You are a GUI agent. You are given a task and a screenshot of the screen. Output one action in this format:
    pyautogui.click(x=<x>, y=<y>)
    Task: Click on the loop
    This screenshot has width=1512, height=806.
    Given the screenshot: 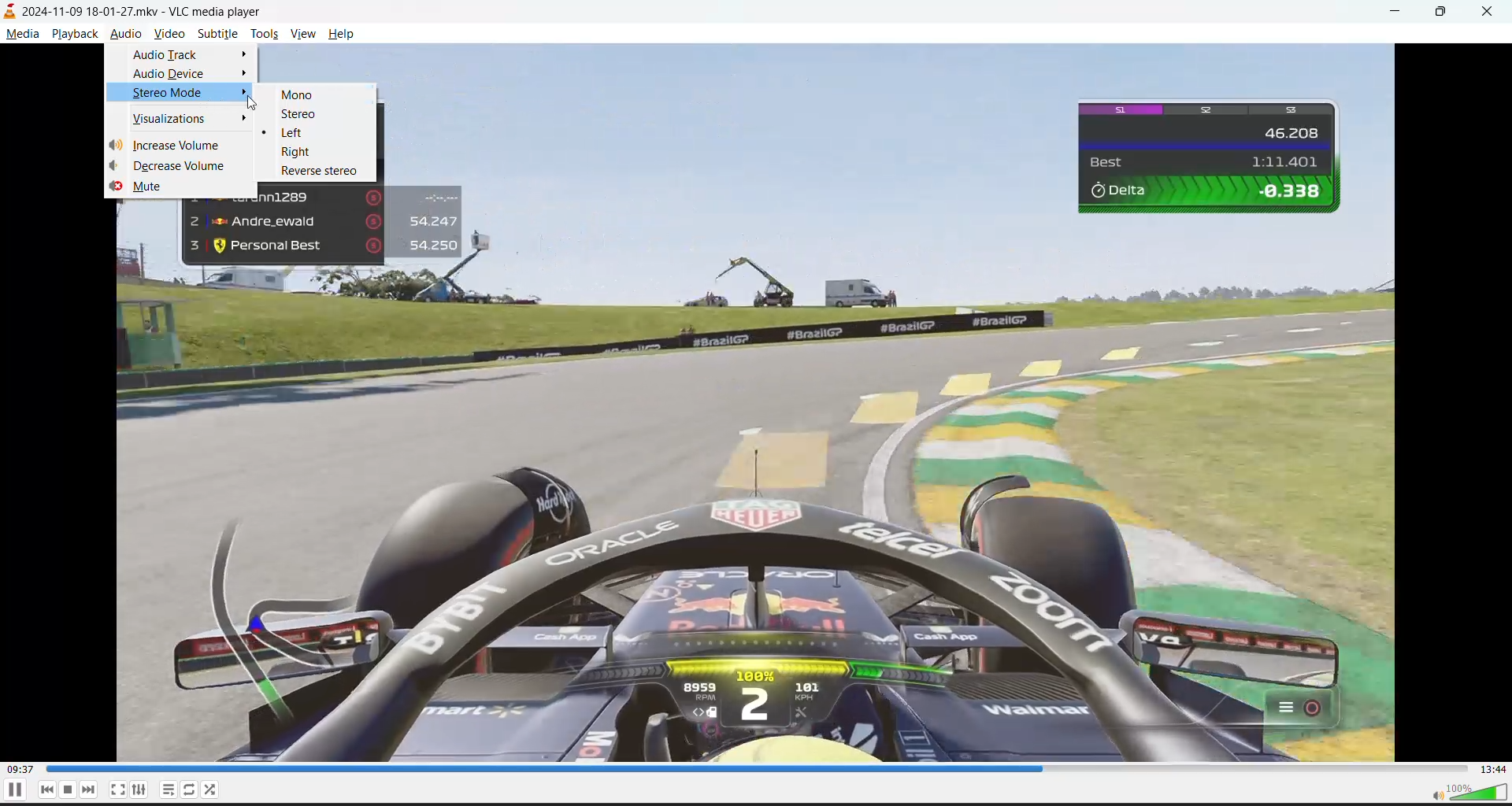 What is the action you would take?
    pyautogui.click(x=188, y=790)
    